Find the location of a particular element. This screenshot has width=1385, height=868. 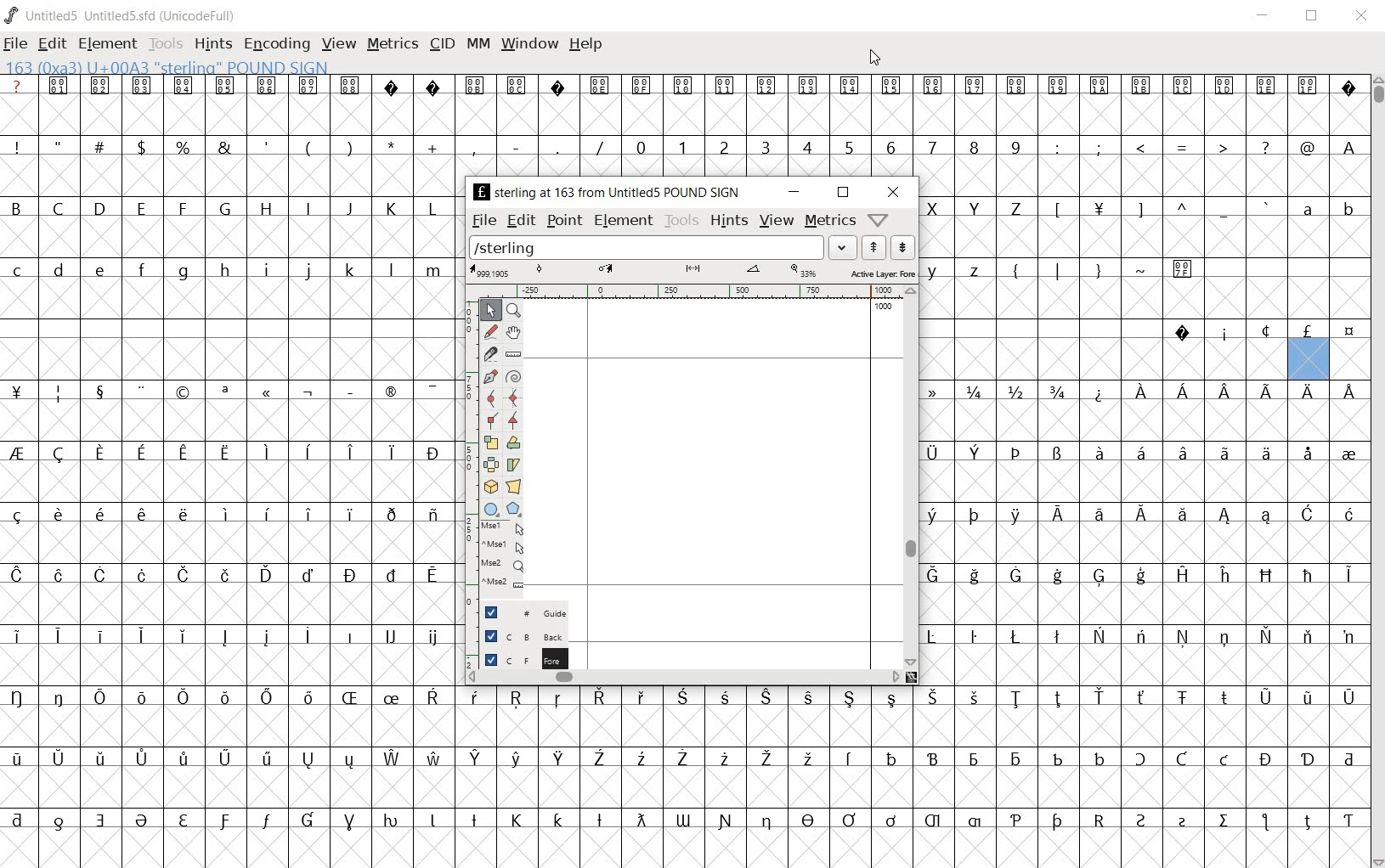

Symbol is located at coordinates (225, 759).